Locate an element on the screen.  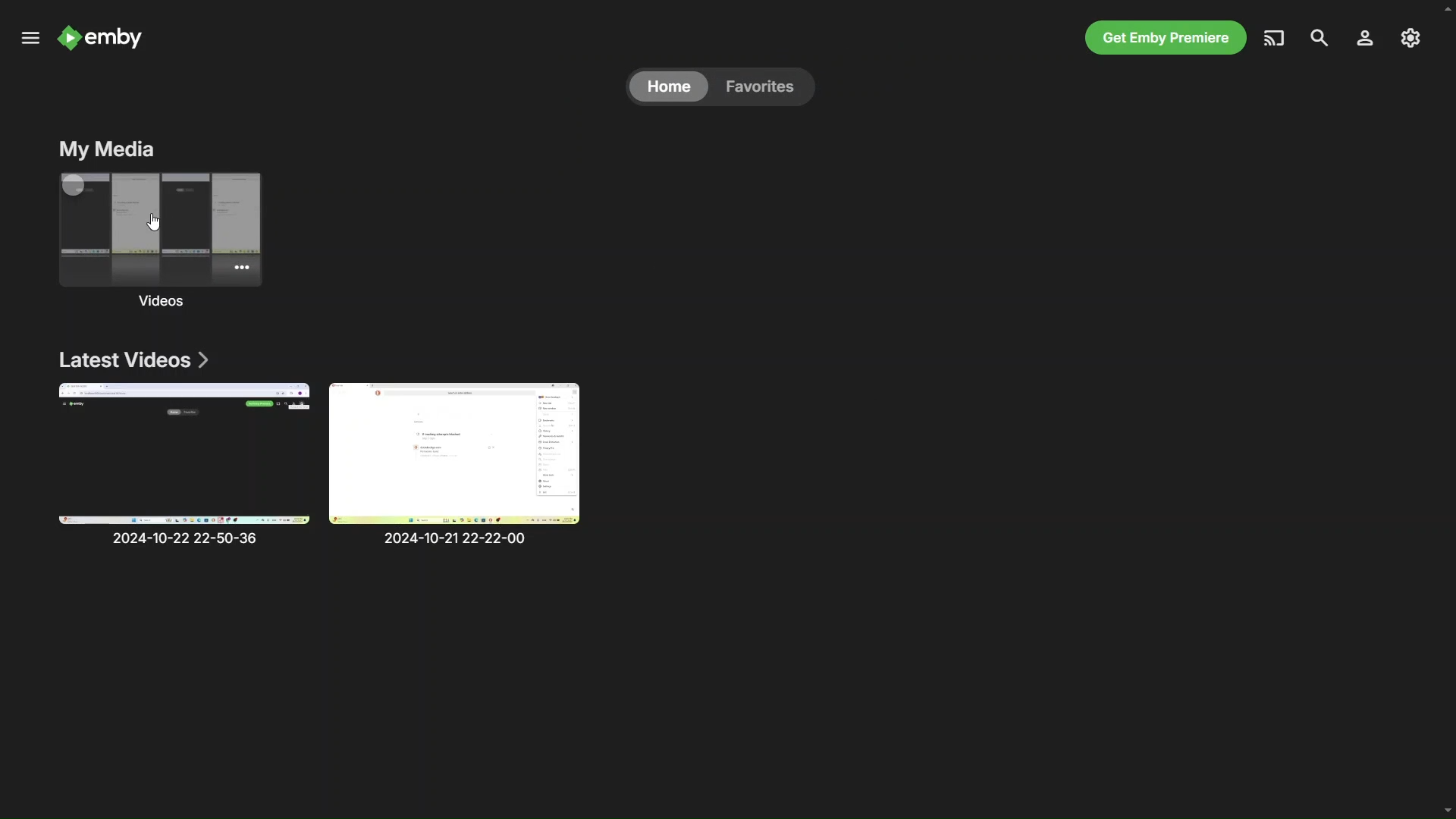
my media is located at coordinates (109, 149).